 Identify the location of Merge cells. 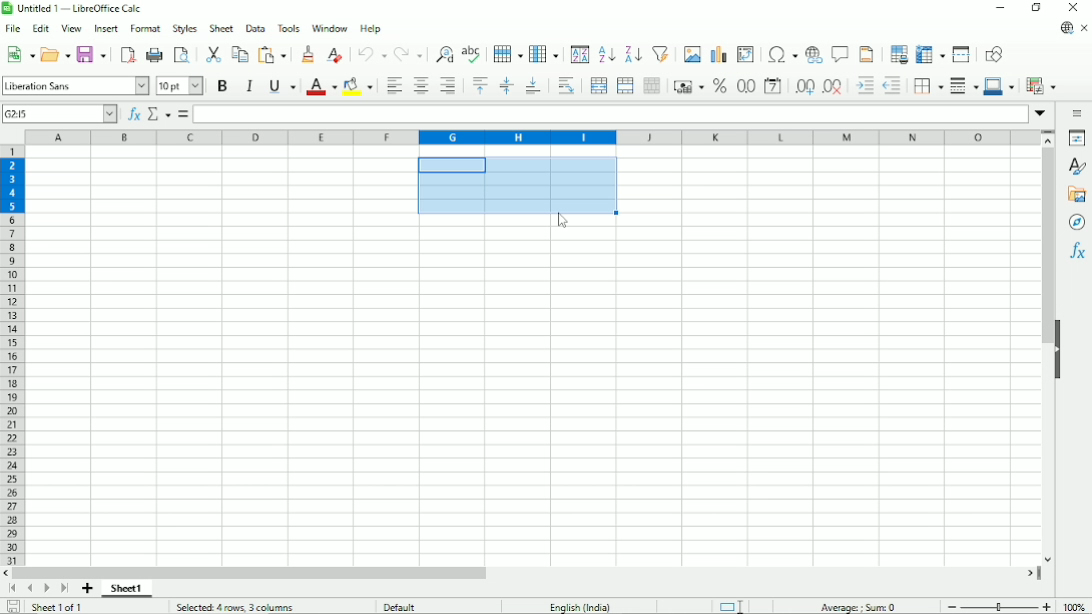
(625, 85).